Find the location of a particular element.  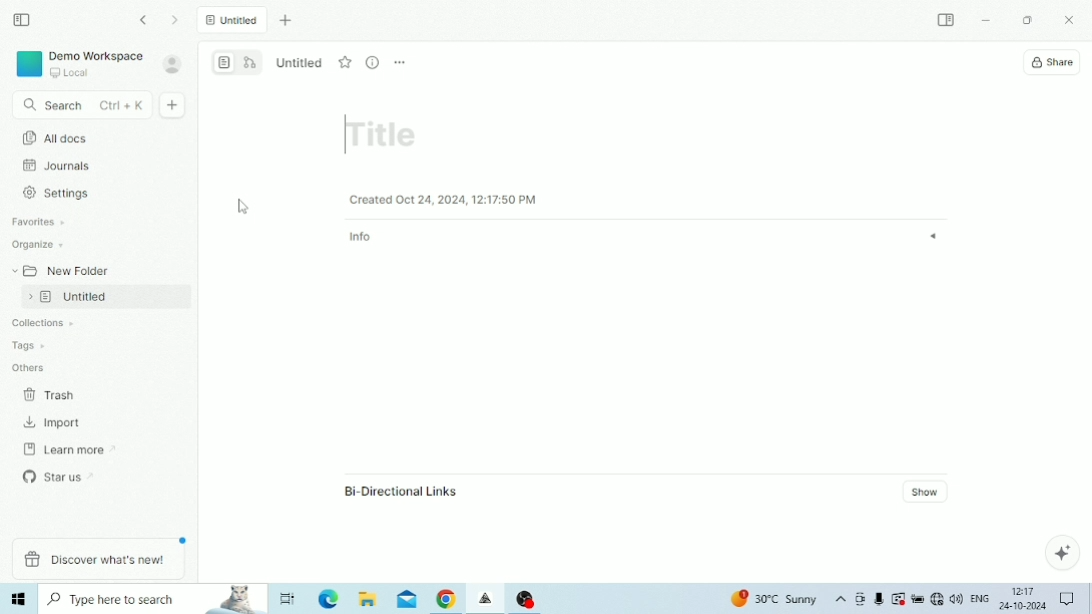

New Folder is located at coordinates (59, 269).